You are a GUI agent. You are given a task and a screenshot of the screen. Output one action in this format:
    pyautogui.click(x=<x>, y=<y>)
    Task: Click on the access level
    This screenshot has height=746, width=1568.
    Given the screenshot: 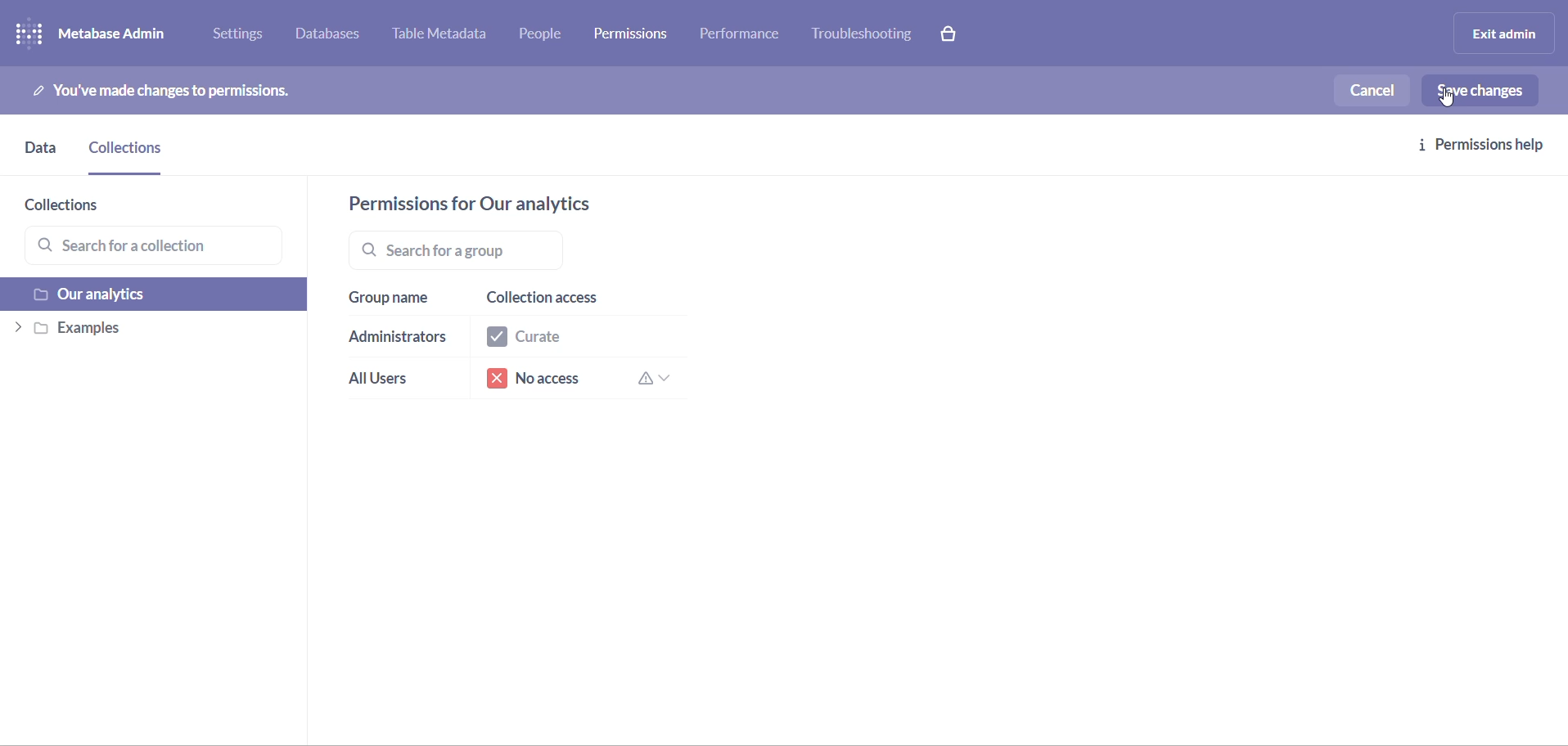 What is the action you would take?
    pyautogui.click(x=574, y=291)
    